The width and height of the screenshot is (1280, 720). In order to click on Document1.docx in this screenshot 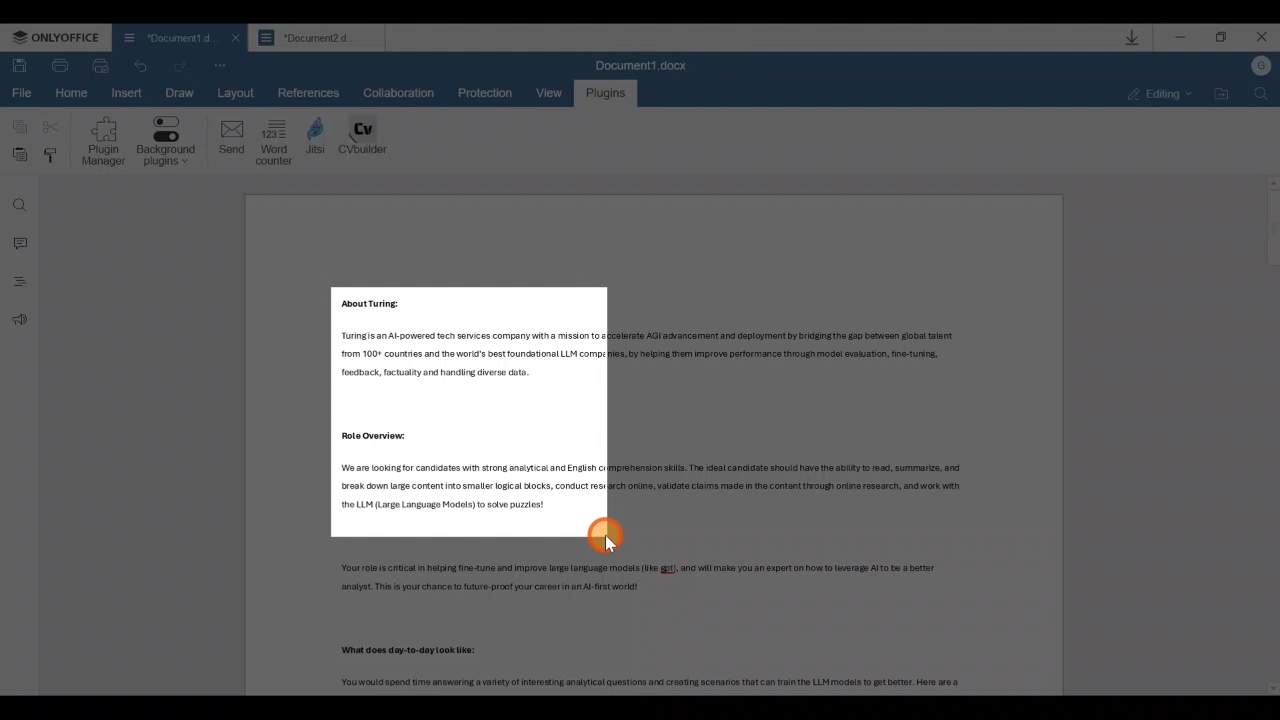, I will do `click(646, 64)`.